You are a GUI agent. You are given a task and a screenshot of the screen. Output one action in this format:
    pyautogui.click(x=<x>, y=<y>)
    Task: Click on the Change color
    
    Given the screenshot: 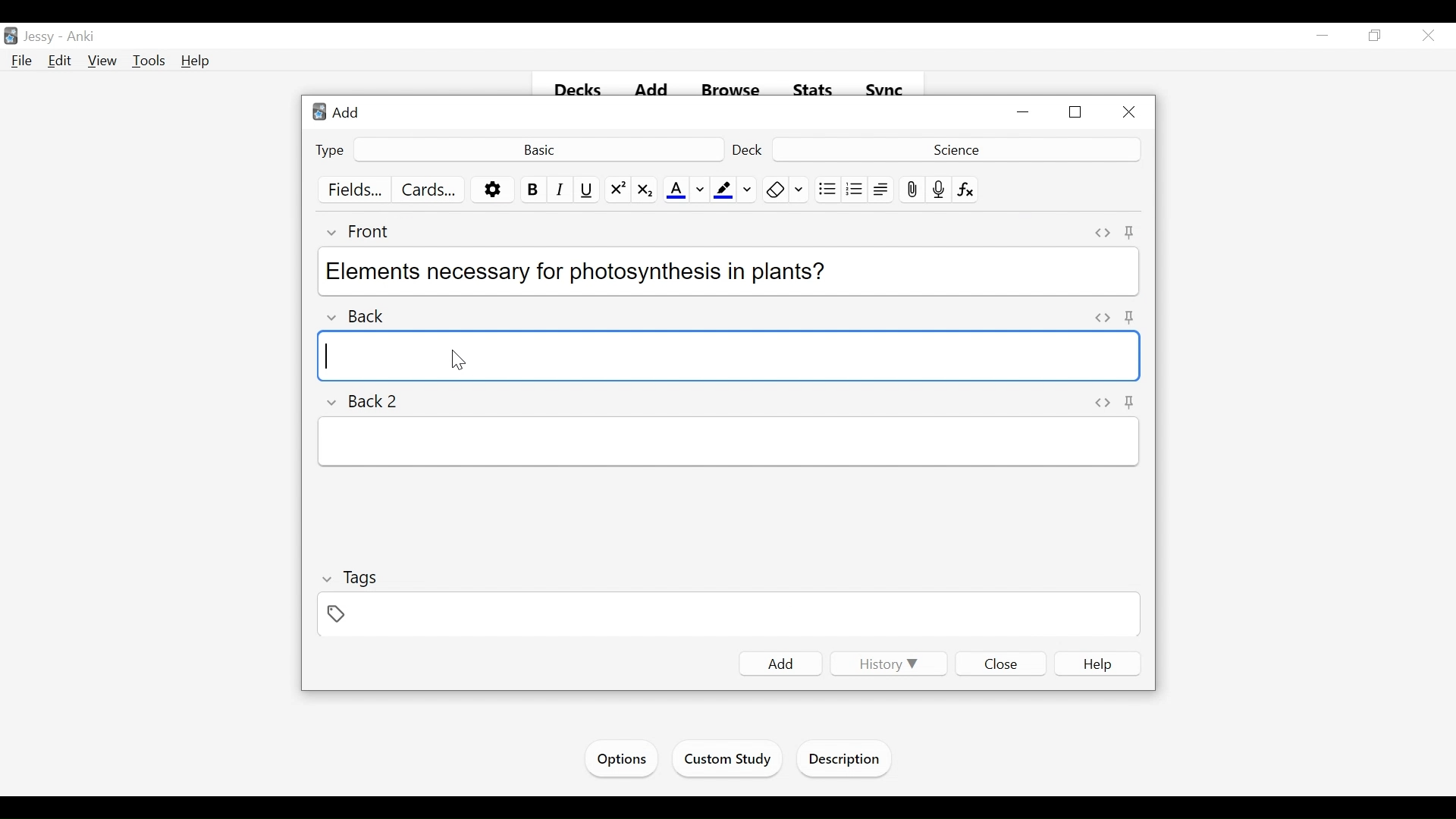 What is the action you would take?
    pyautogui.click(x=700, y=190)
    